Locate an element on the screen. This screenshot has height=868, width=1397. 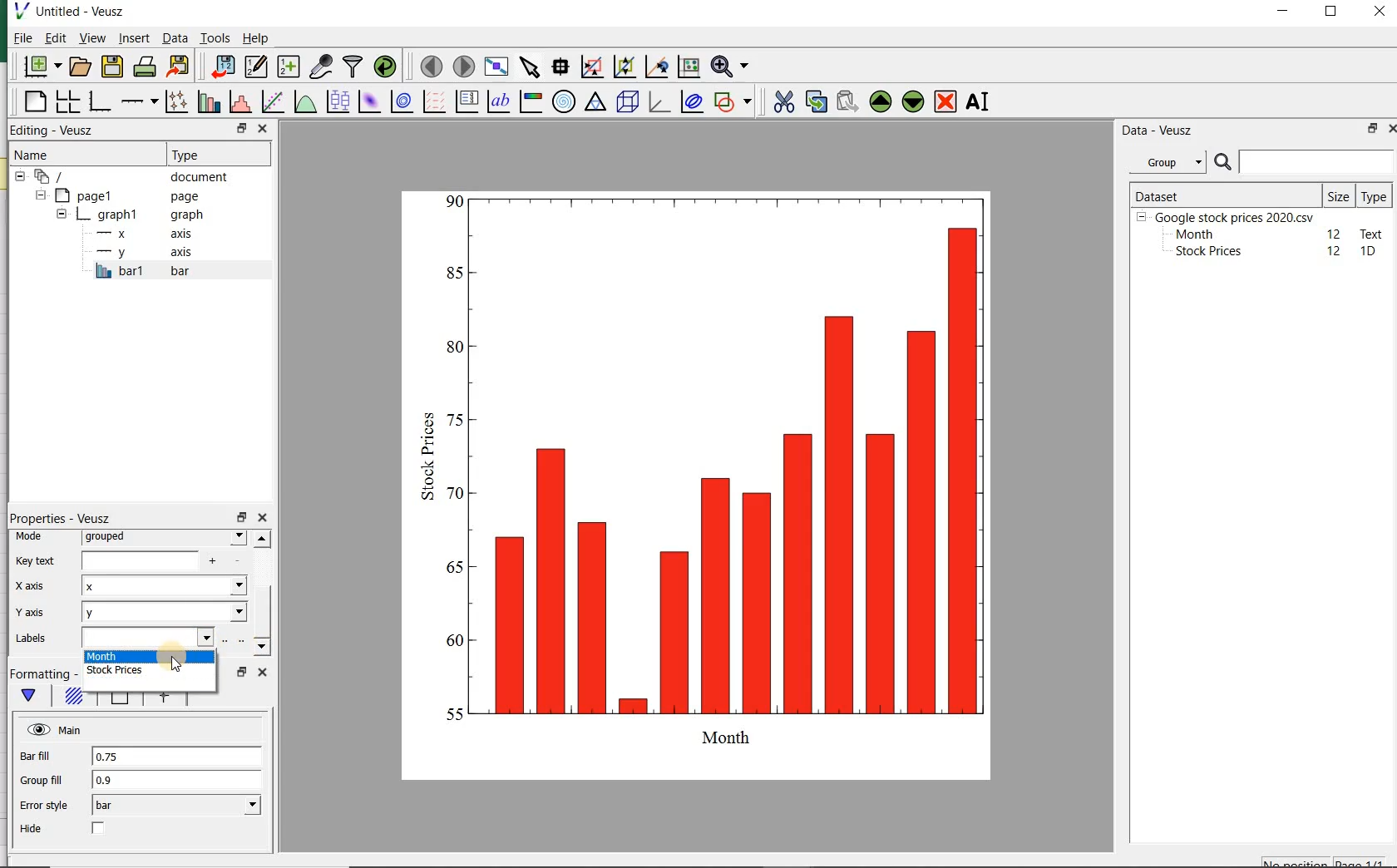
arrange graphs in a grid is located at coordinates (66, 102).